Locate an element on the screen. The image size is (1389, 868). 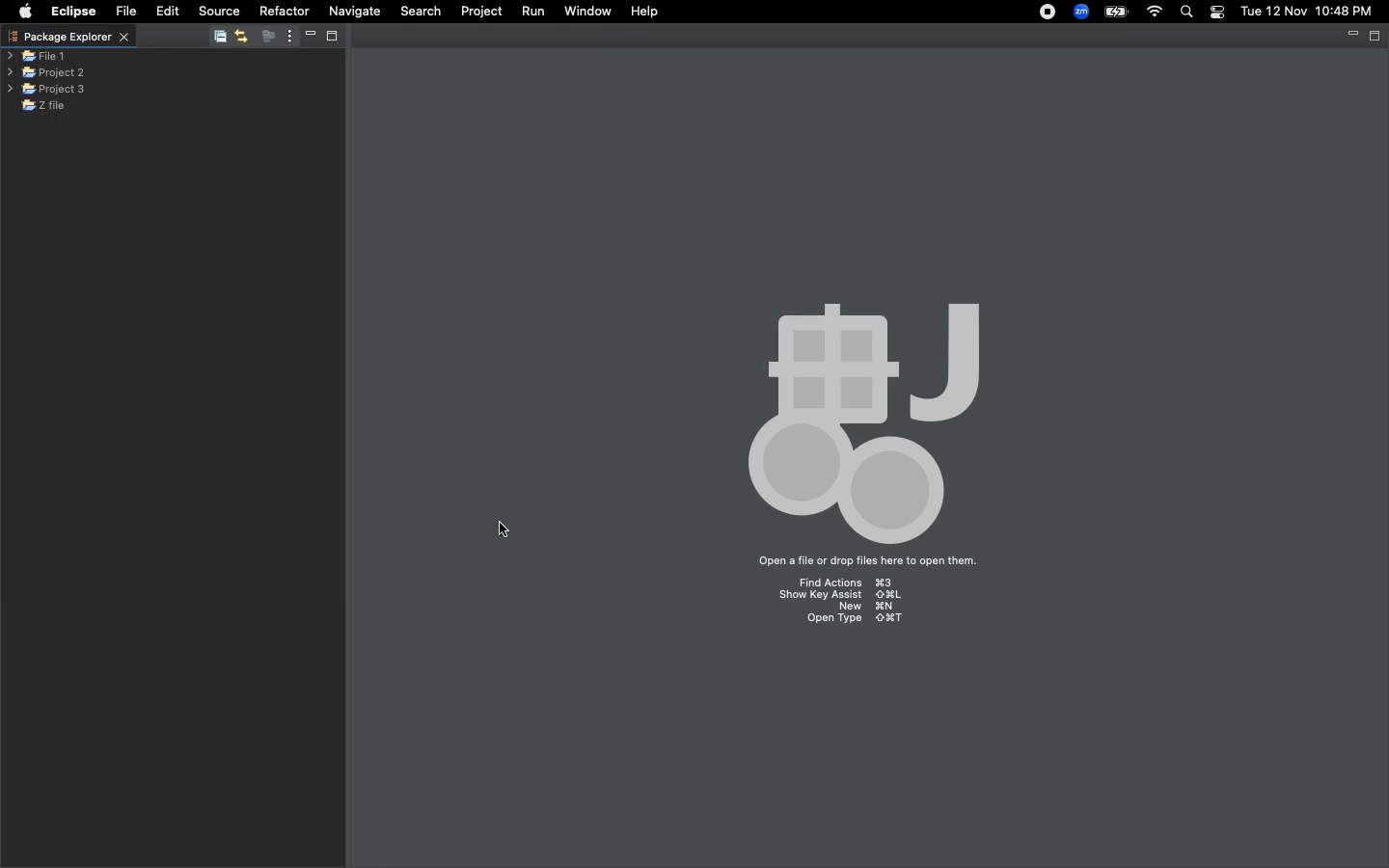
Search is located at coordinates (1186, 12).